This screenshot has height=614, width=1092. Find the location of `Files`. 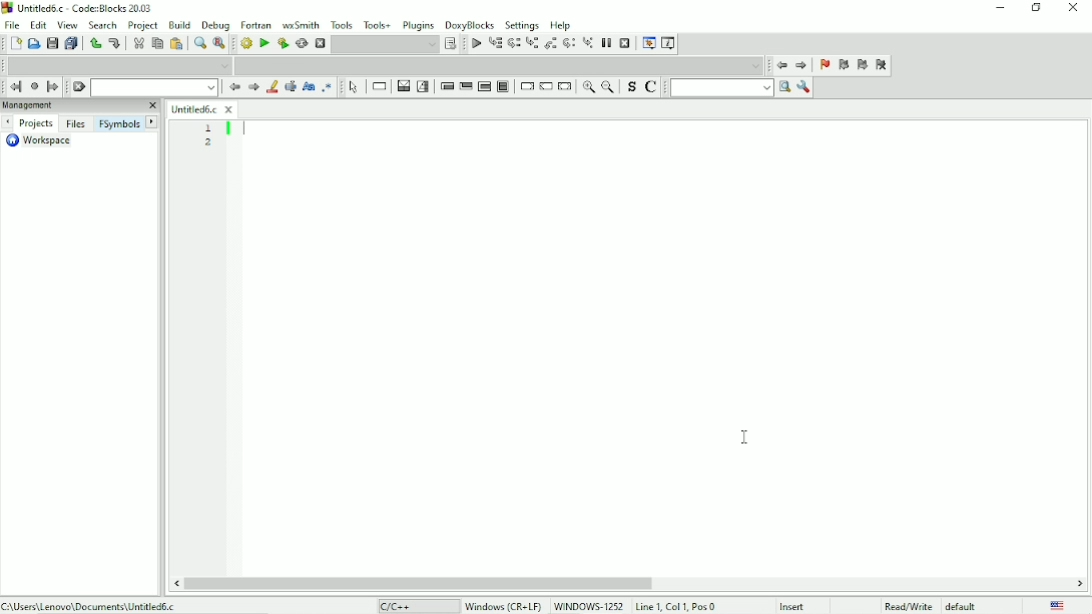

Files is located at coordinates (76, 124).